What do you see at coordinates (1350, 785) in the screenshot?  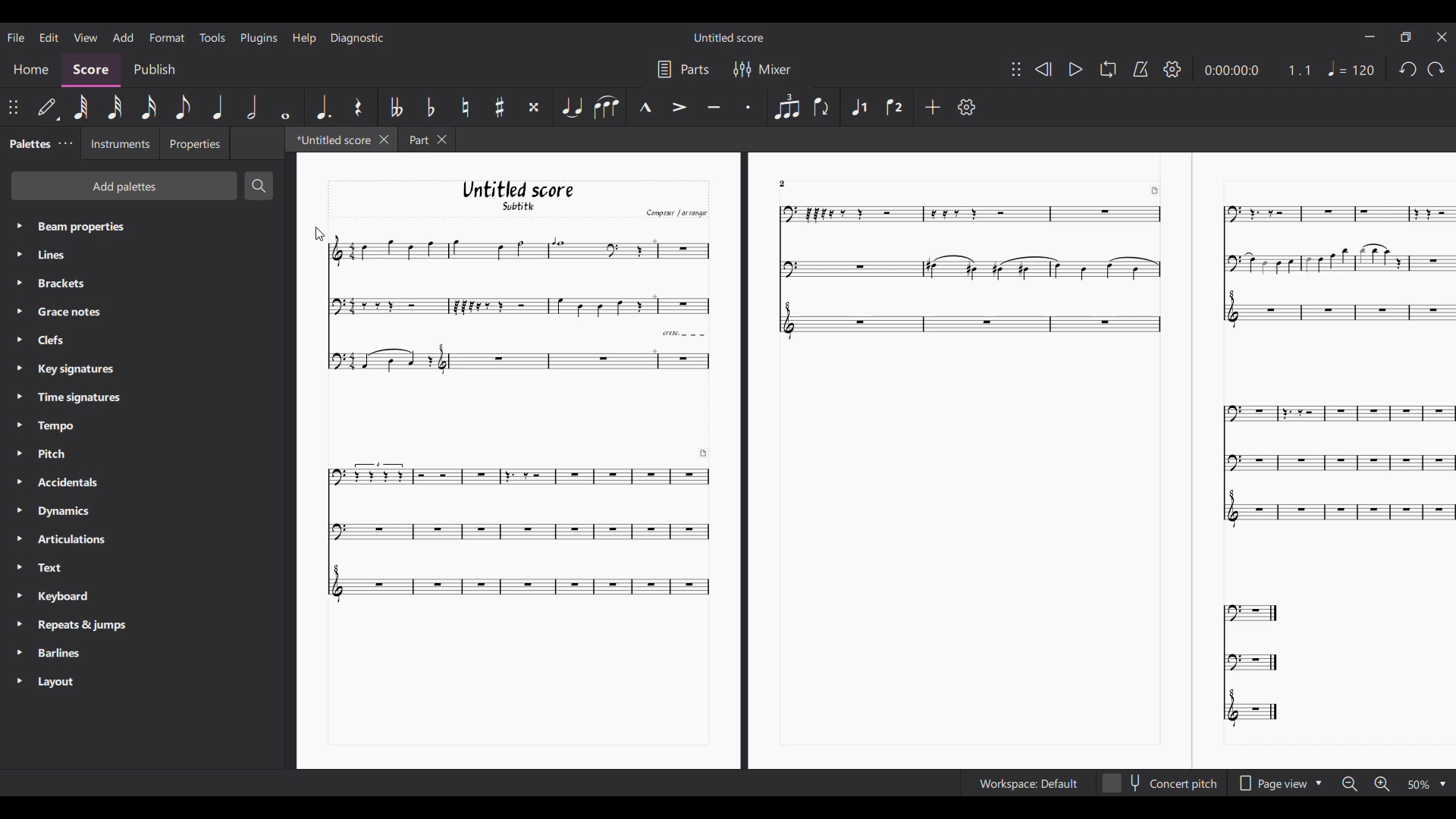 I see `Zoom out` at bounding box center [1350, 785].